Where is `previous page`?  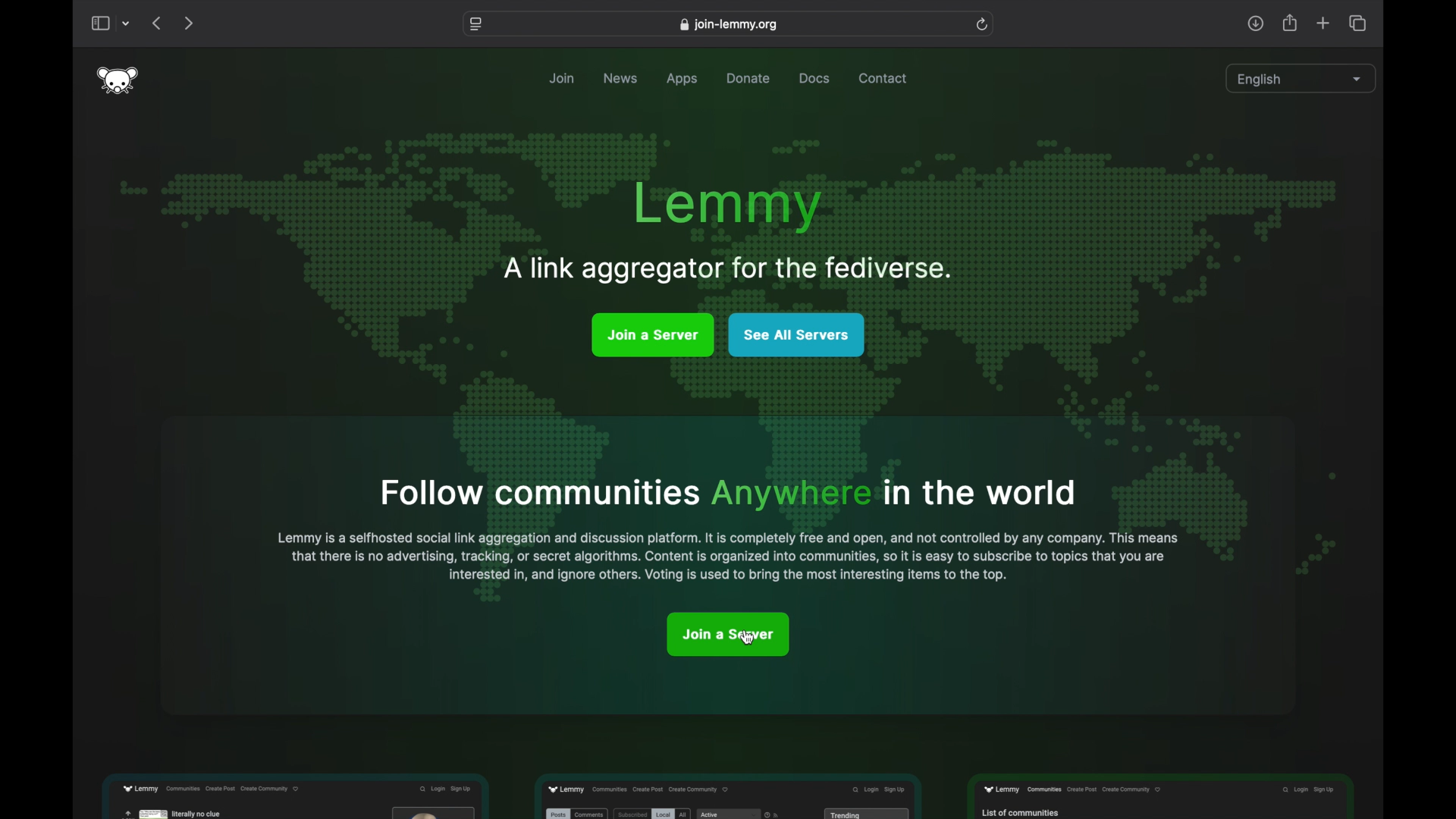
previous page is located at coordinates (156, 23).